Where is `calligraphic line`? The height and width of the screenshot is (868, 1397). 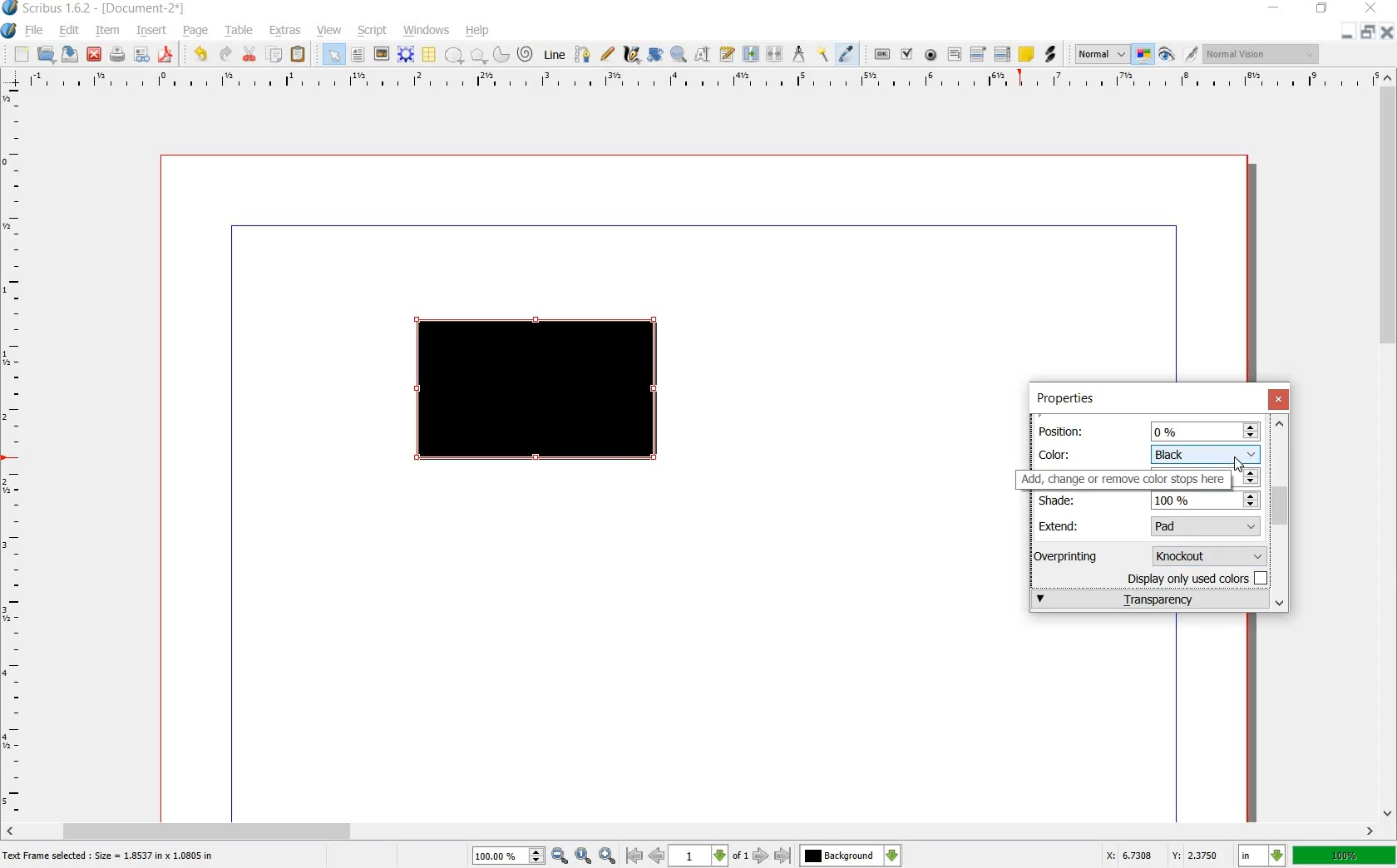 calligraphic line is located at coordinates (631, 53).